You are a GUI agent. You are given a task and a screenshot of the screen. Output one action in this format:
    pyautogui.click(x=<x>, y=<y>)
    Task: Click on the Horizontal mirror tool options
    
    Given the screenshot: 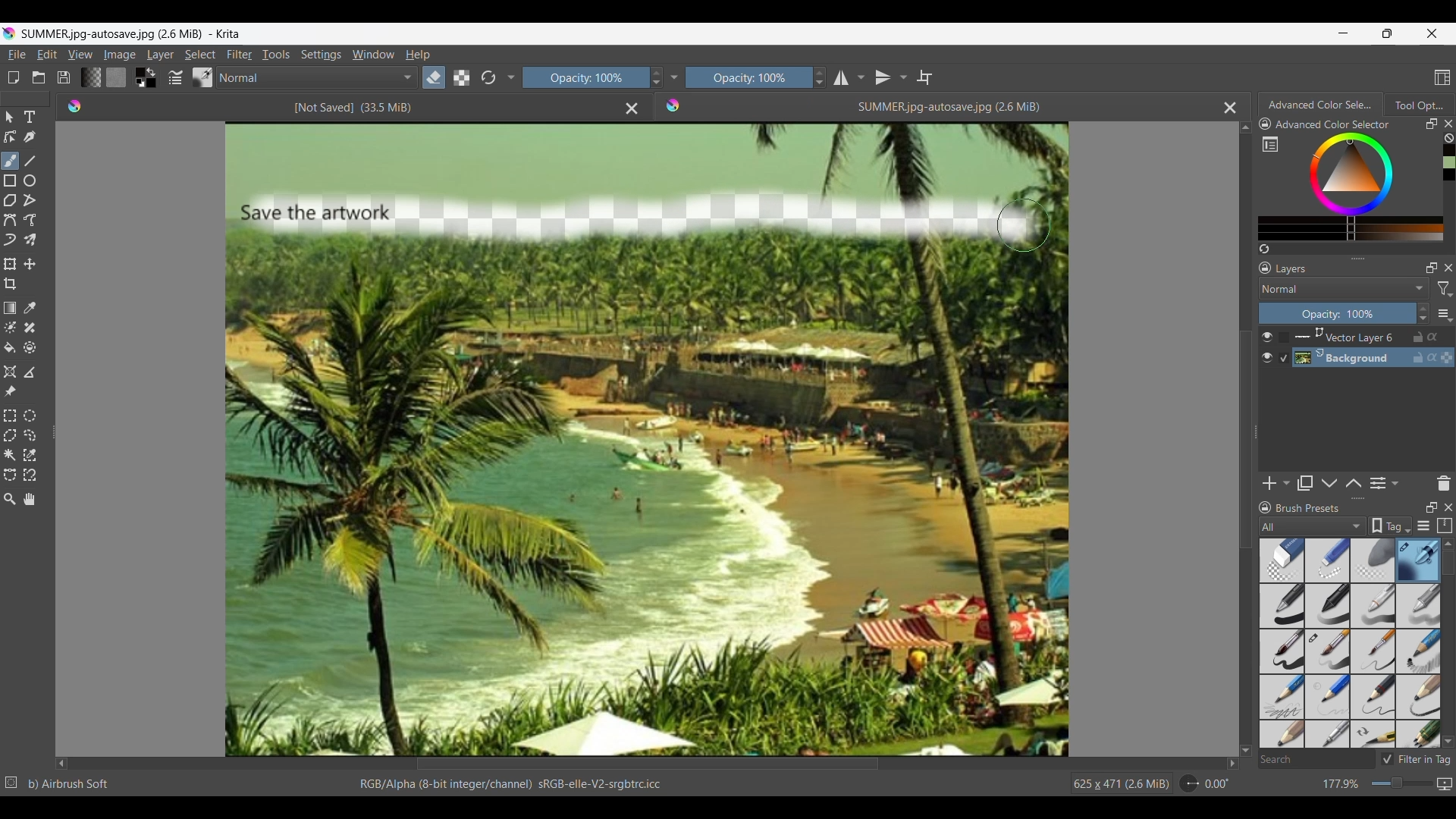 What is the action you would take?
    pyautogui.click(x=849, y=79)
    